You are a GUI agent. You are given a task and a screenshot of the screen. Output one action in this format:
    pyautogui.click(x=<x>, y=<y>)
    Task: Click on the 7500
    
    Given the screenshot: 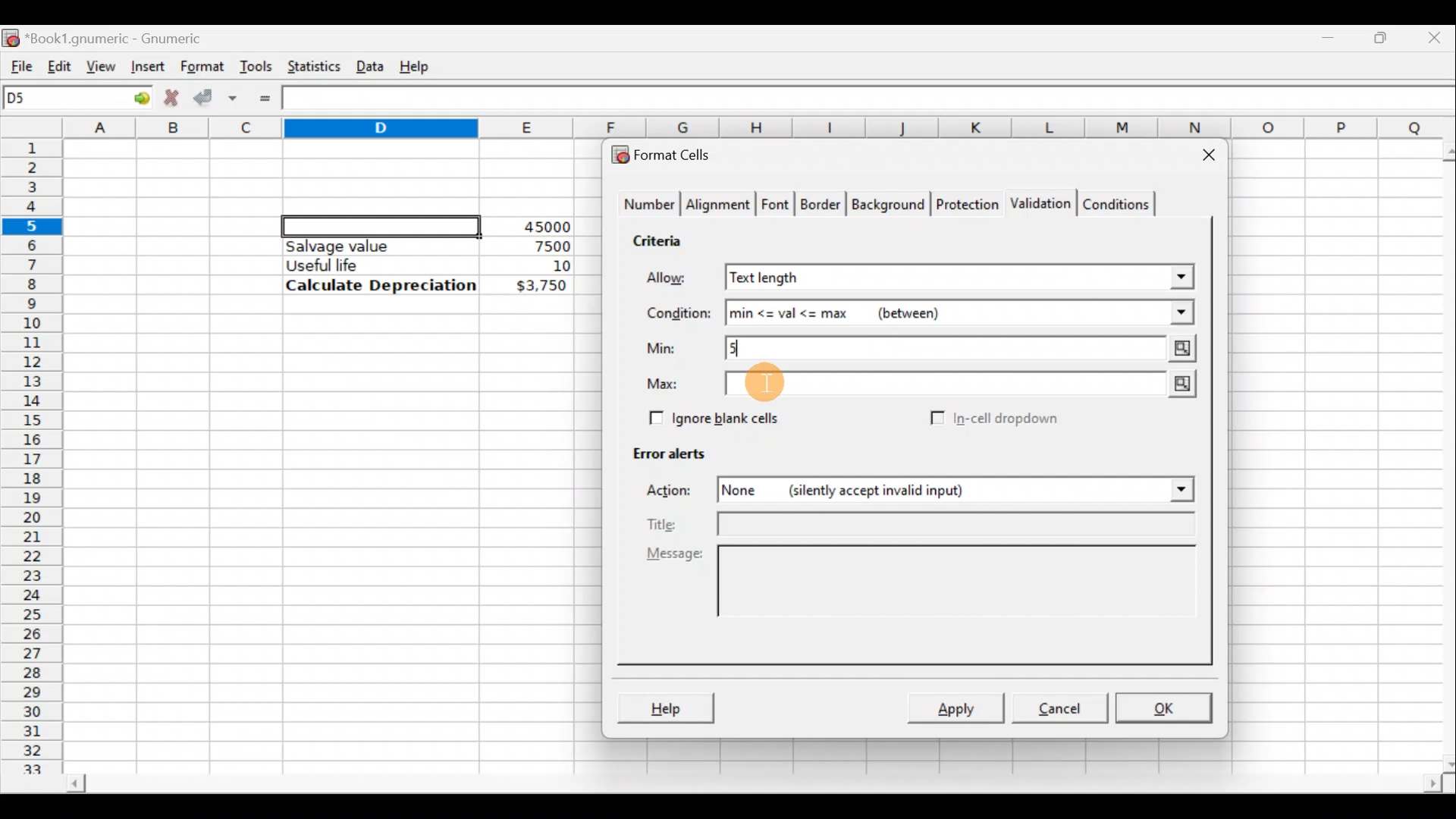 What is the action you would take?
    pyautogui.click(x=528, y=245)
    